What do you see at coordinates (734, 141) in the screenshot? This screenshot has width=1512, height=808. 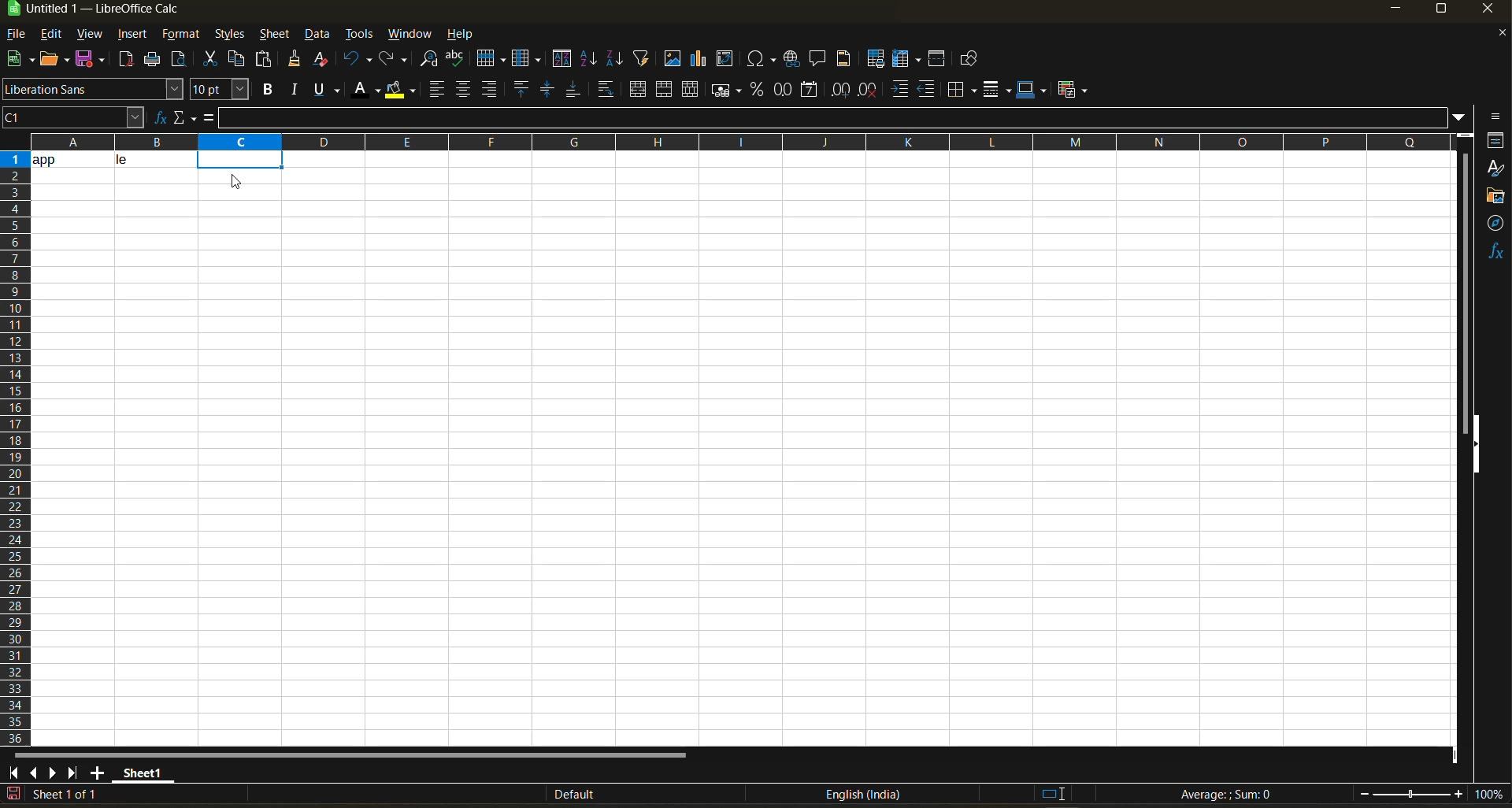 I see `rows` at bounding box center [734, 141].